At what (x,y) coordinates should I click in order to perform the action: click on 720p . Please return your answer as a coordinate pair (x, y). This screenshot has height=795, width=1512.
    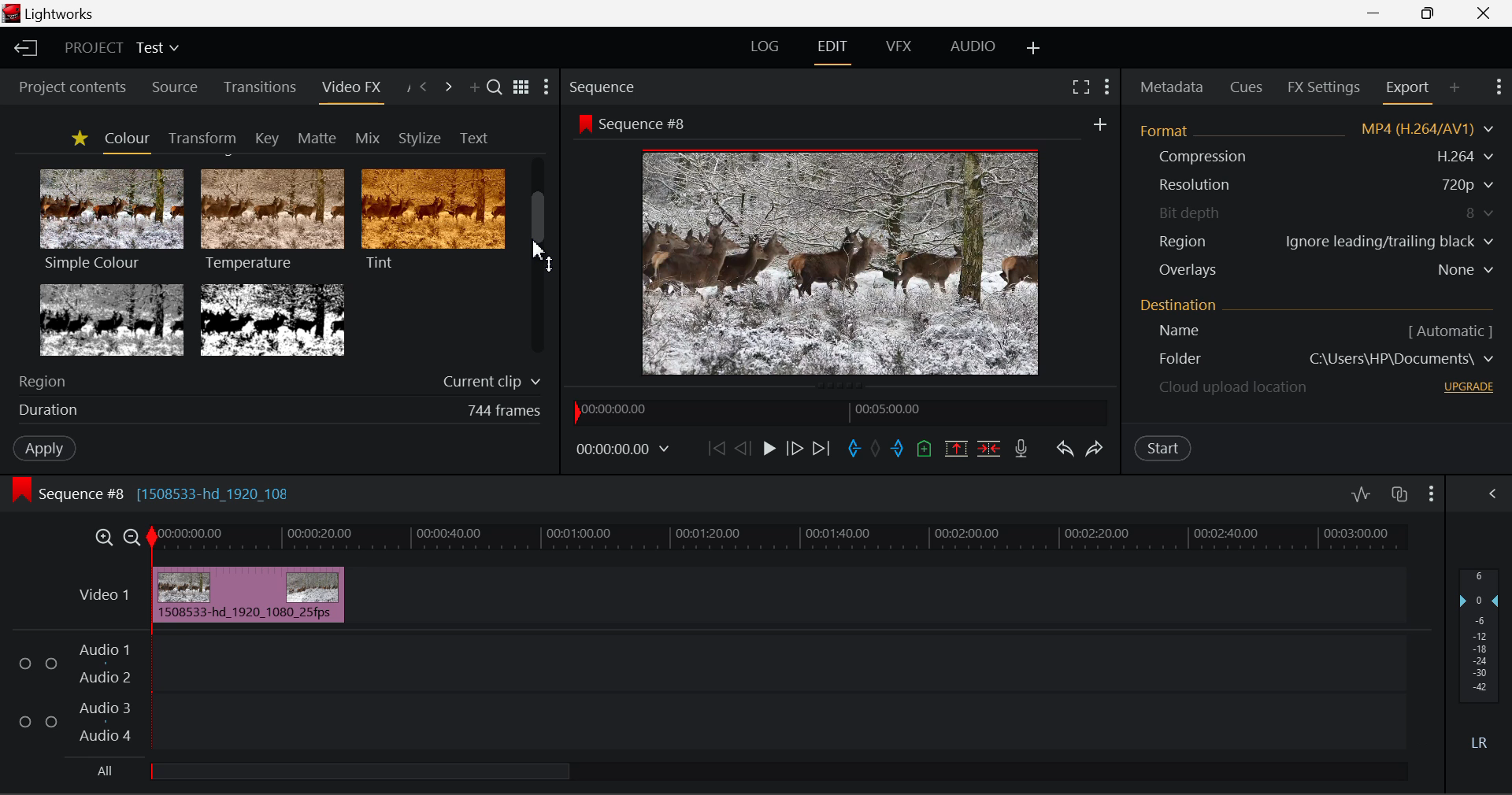
    Looking at the image, I should click on (1469, 184).